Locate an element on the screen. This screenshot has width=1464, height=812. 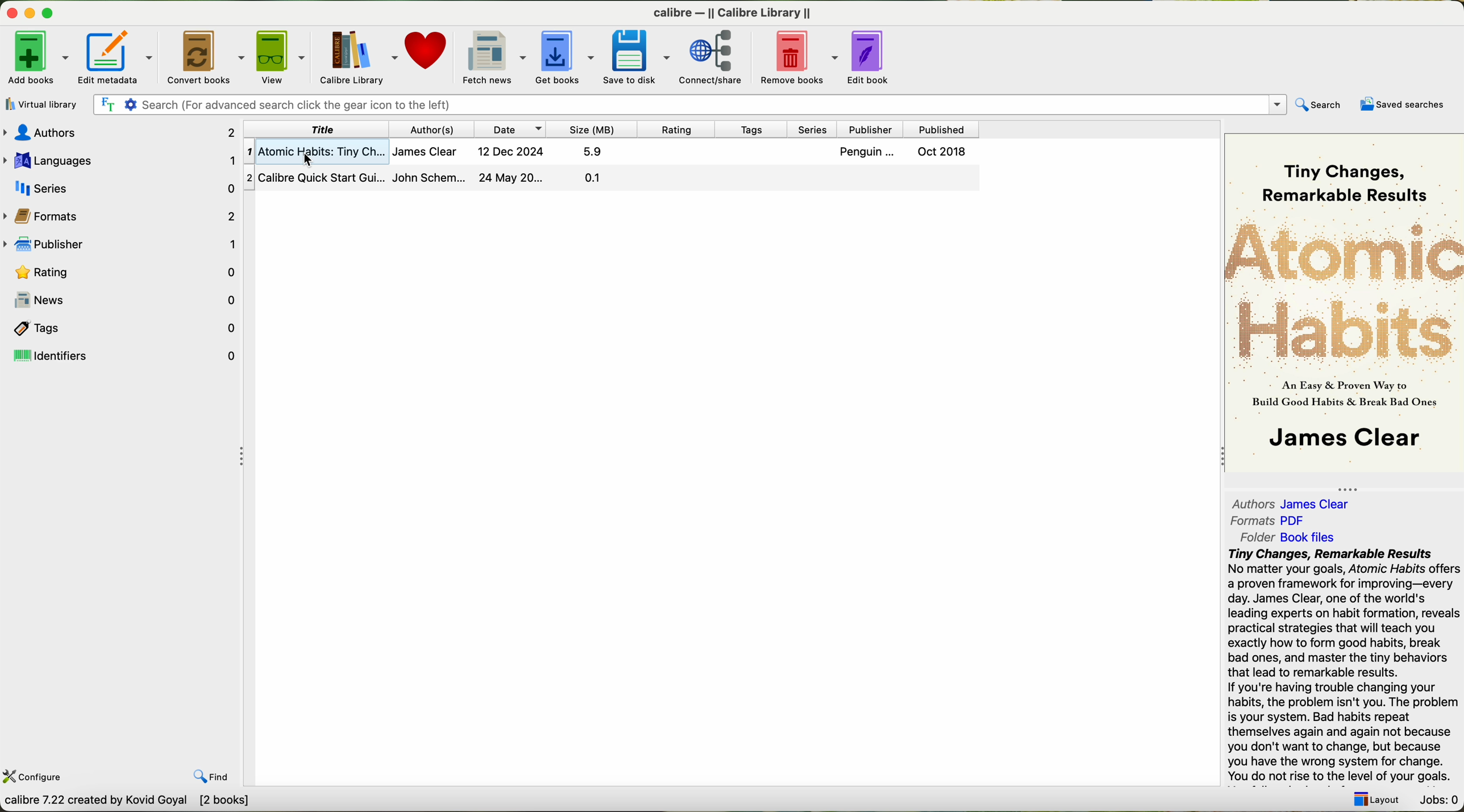
identifiers is located at coordinates (122, 355).